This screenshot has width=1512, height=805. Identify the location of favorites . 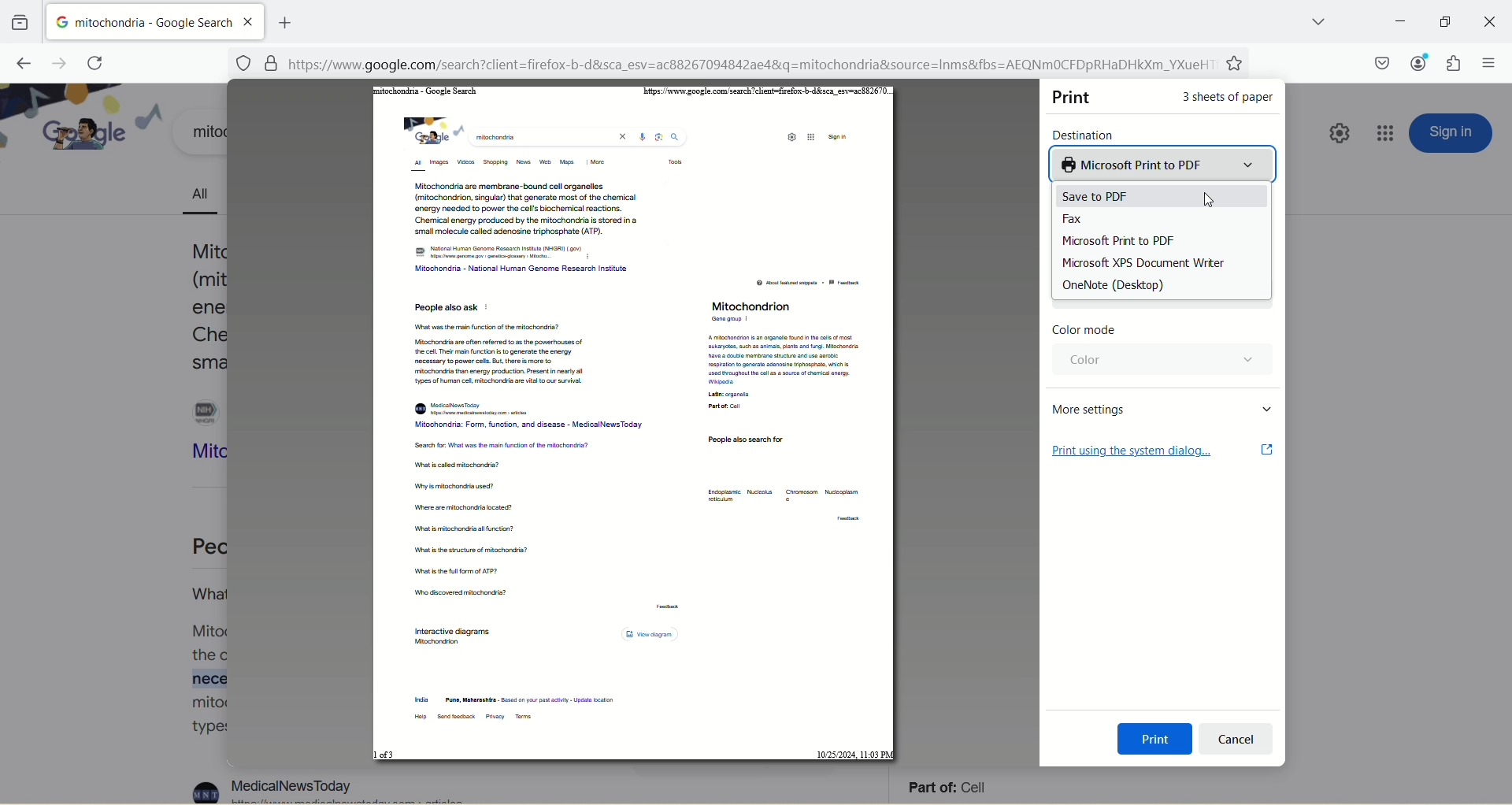
(1237, 65).